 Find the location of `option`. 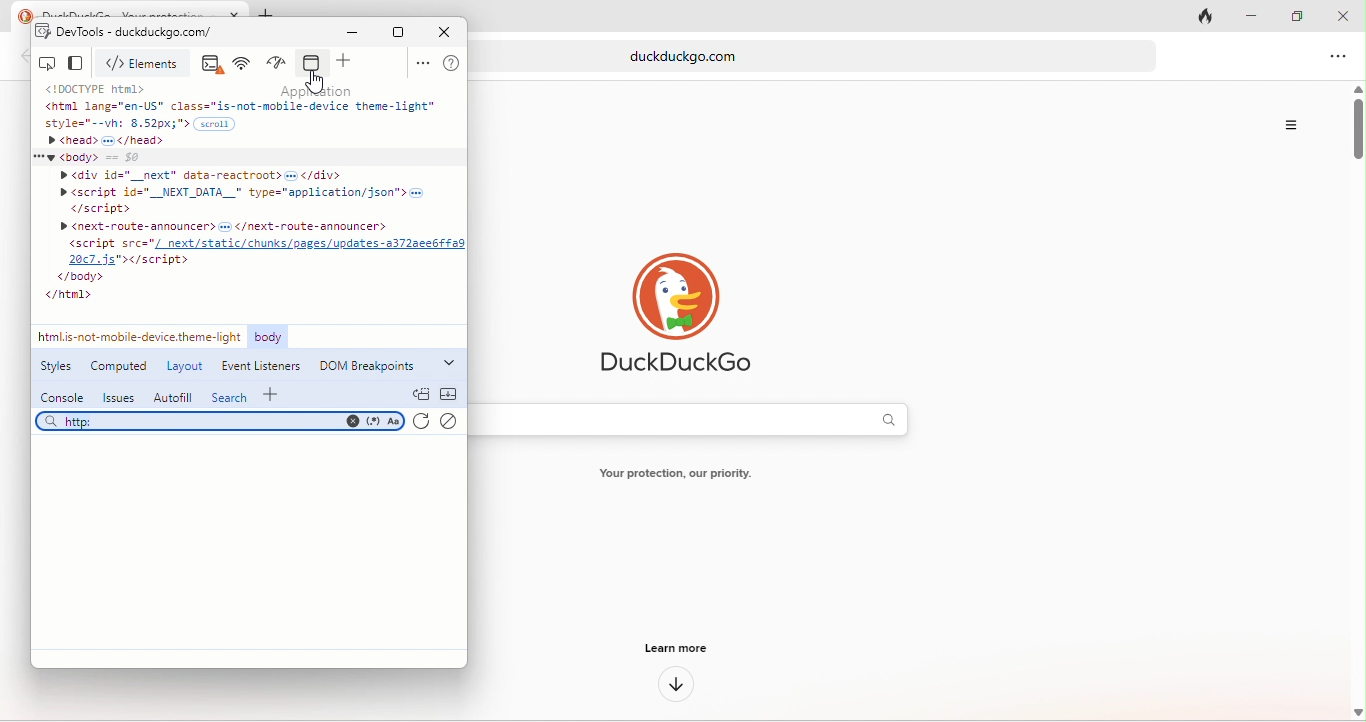

option is located at coordinates (1340, 58).